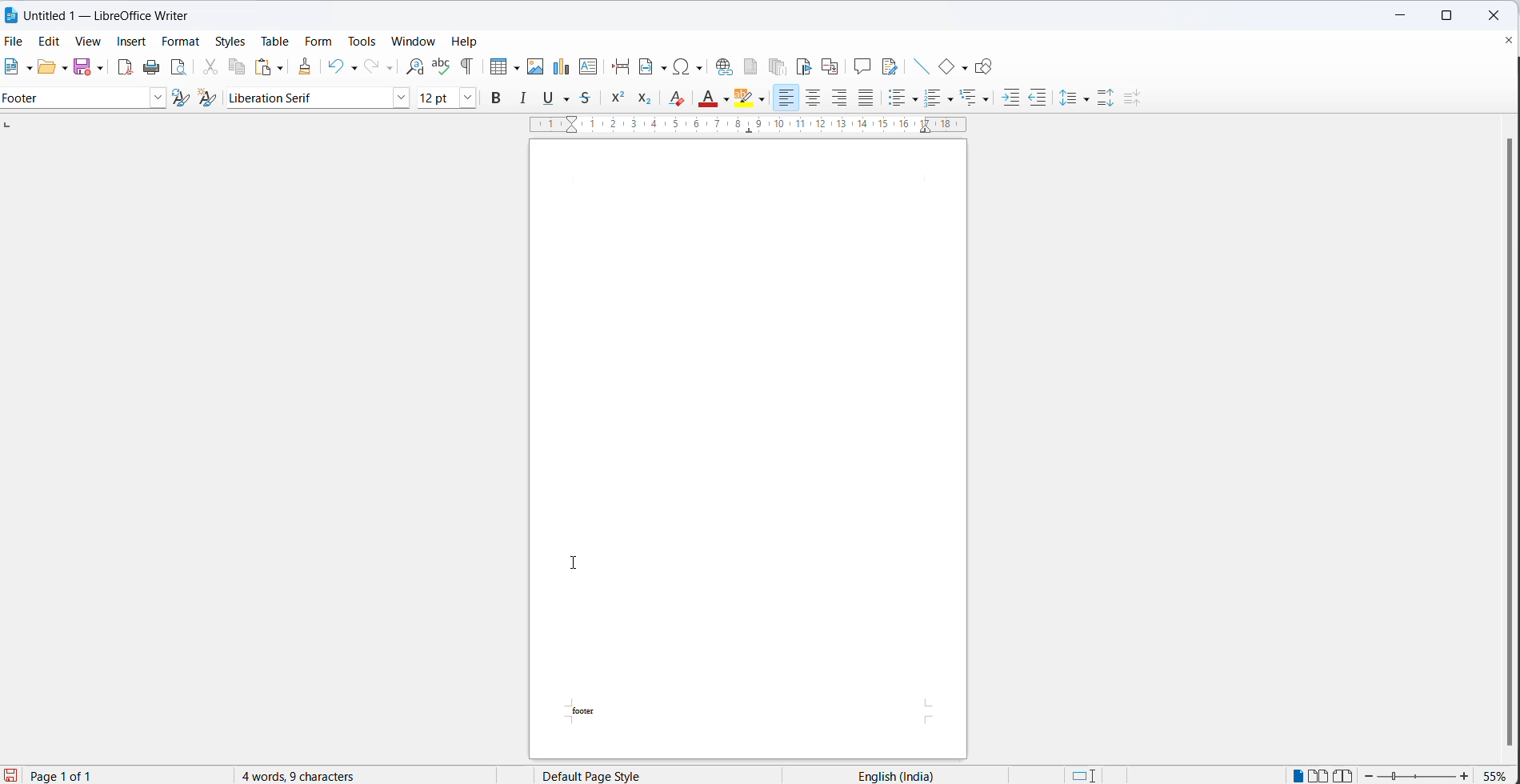  Describe the element at coordinates (863, 65) in the screenshot. I see `insert comments` at that location.